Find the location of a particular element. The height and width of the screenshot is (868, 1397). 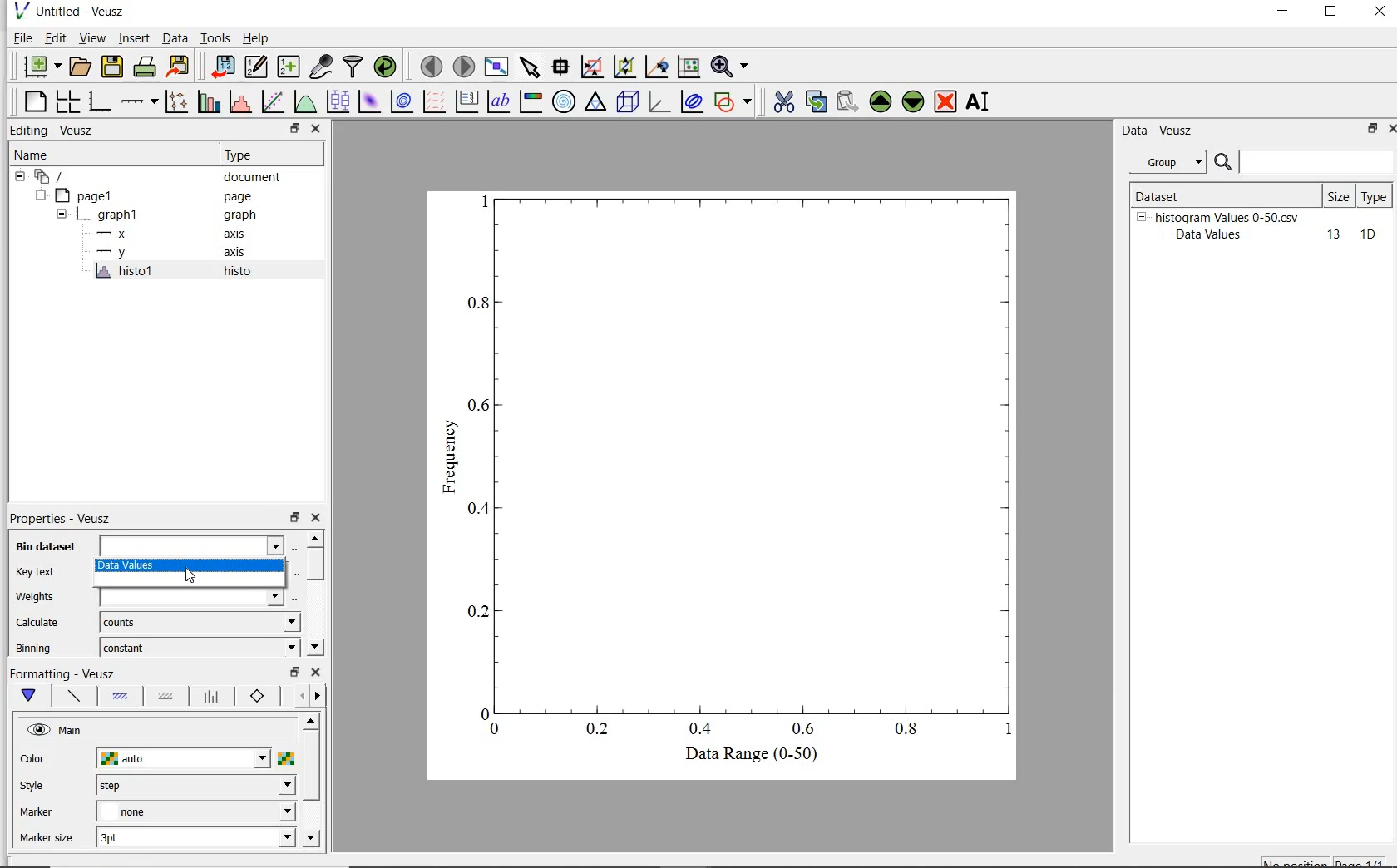

input weights is located at coordinates (195, 596).